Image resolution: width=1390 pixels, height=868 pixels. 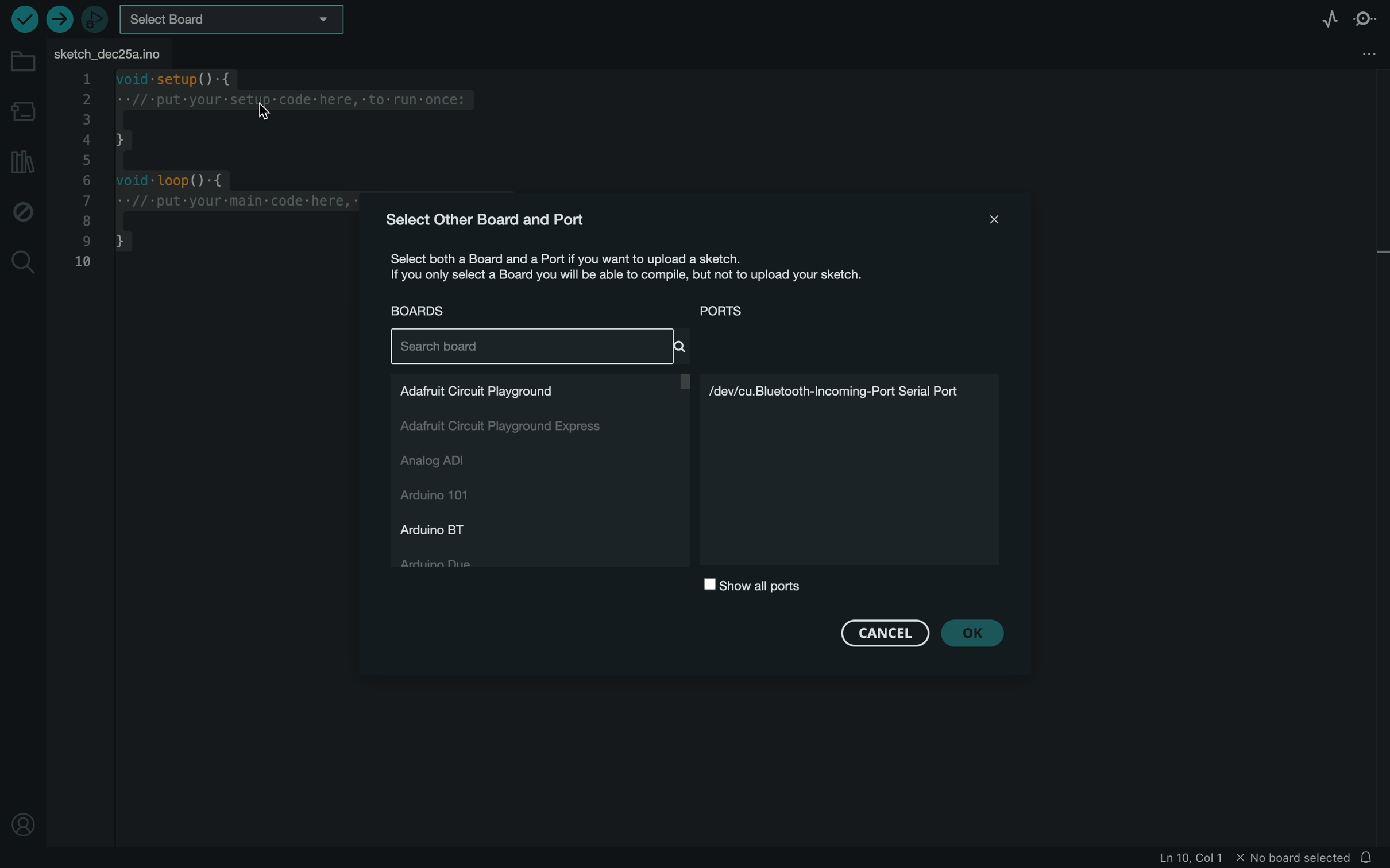 I want to click on folder, so click(x=23, y=63).